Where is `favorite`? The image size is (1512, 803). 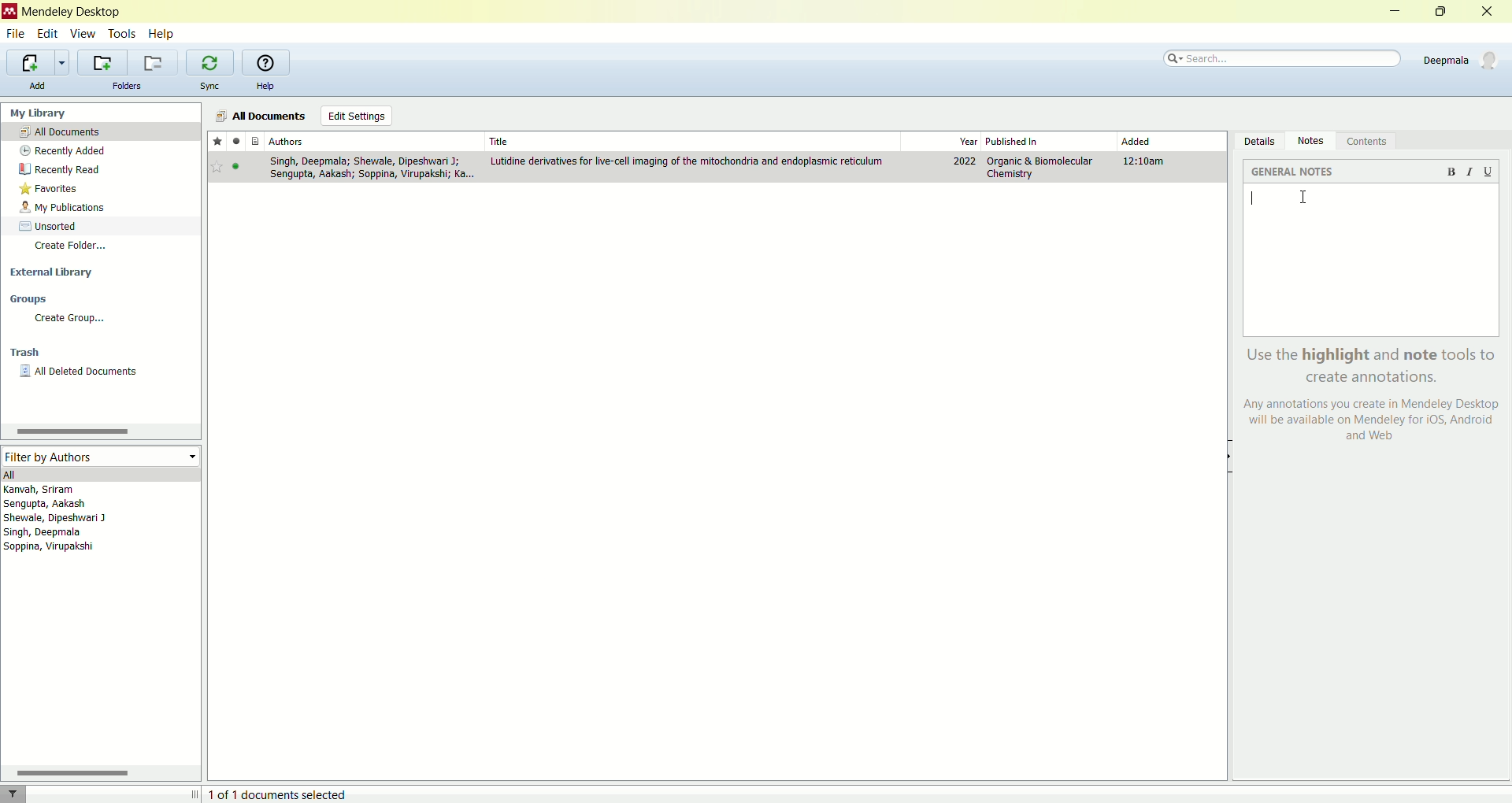
favorite is located at coordinates (217, 142).